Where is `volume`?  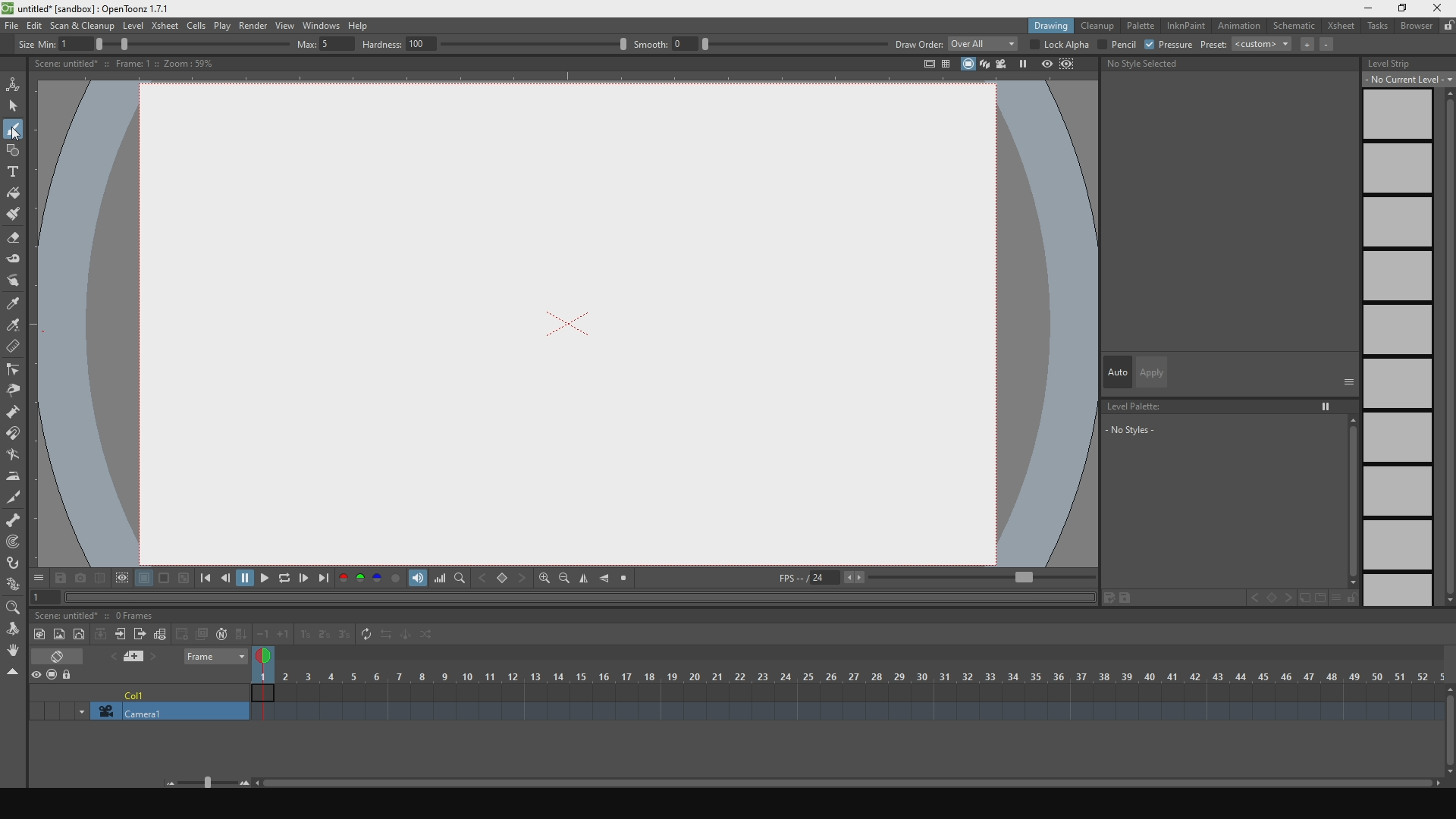 volume is located at coordinates (441, 578).